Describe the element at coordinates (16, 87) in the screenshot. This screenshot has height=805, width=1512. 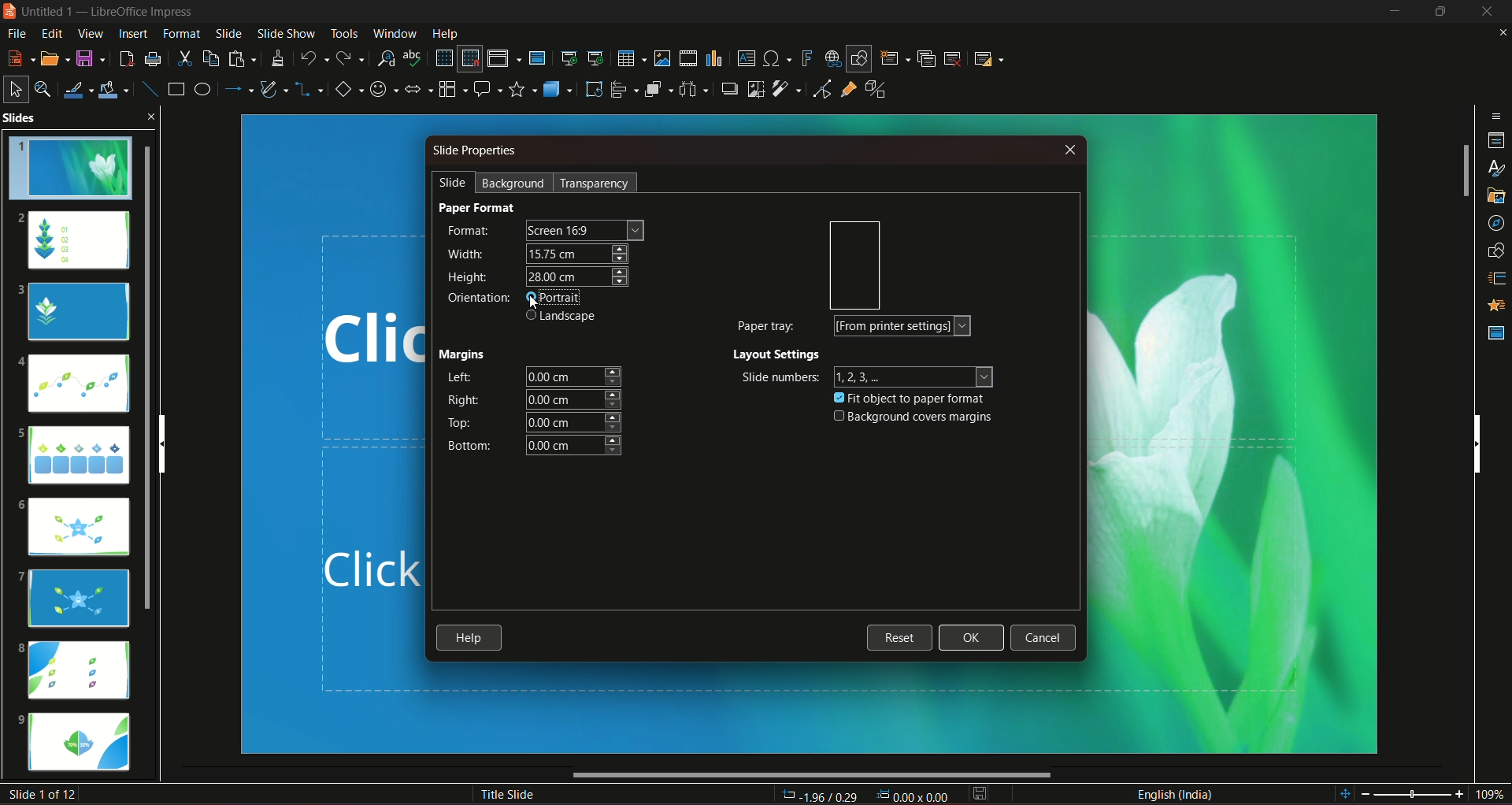
I see `select` at that location.